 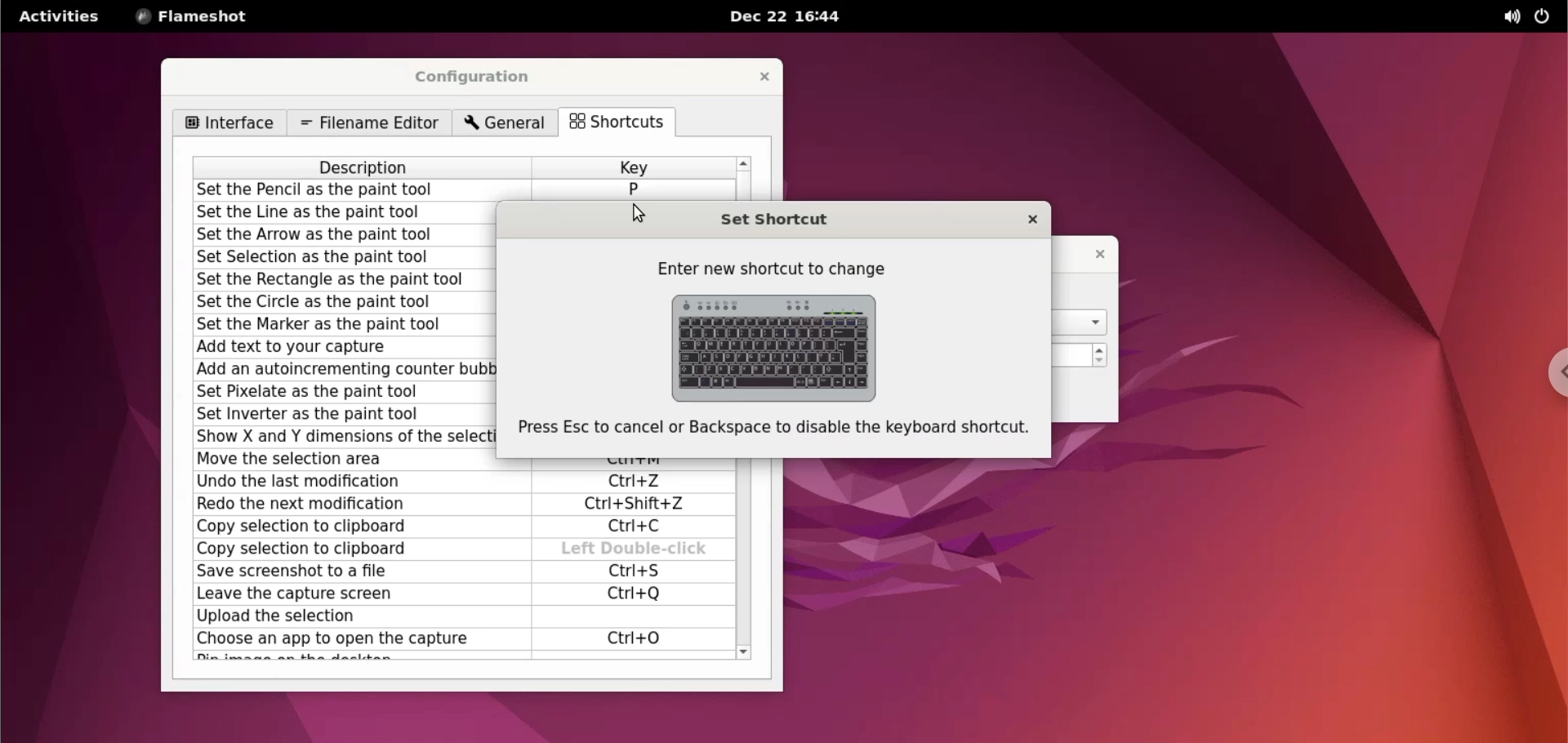 I want to click on activities , so click(x=60, y=16).